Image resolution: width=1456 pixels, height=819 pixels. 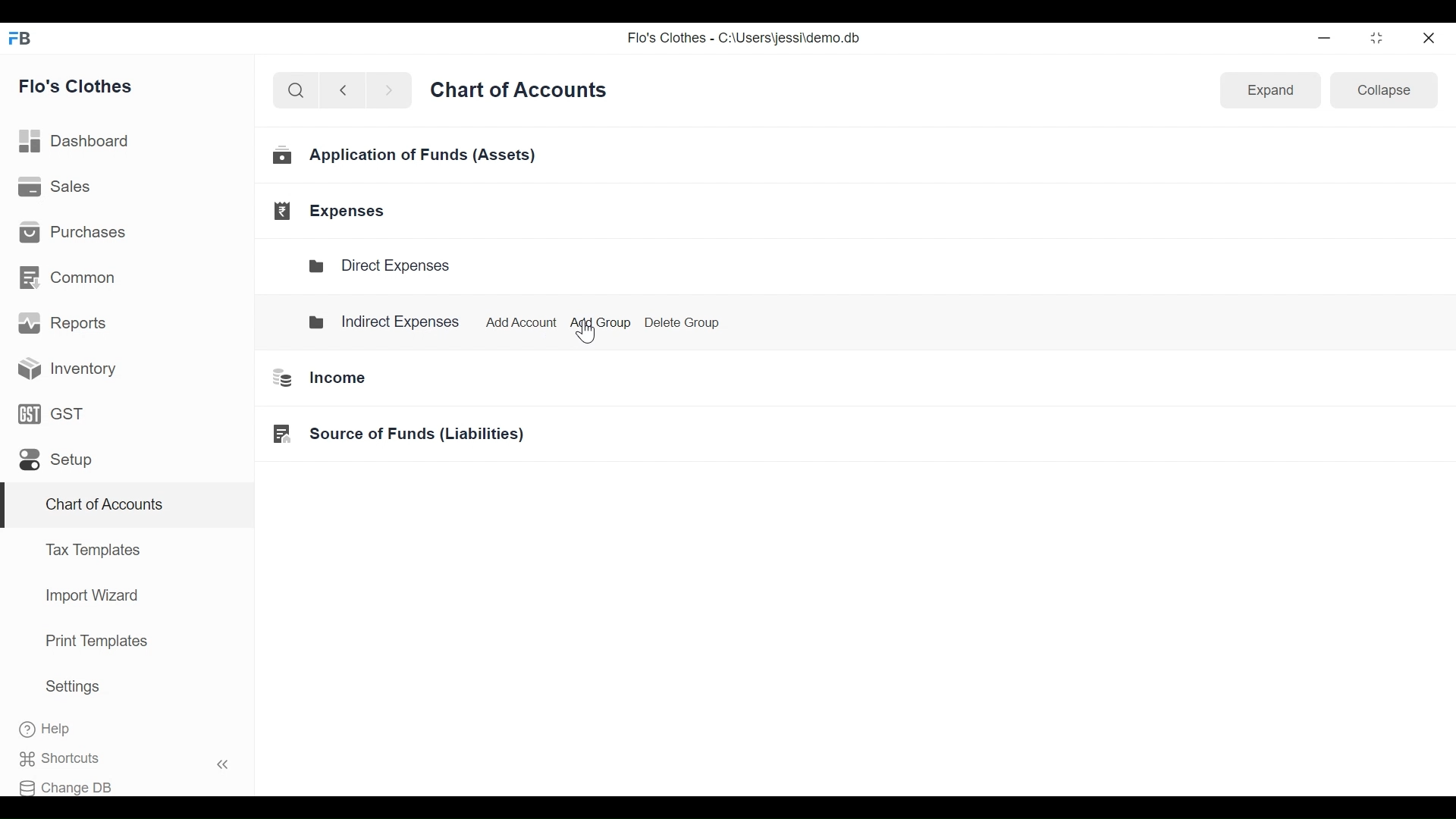 What do you see at coordinates (95, 641) in the screenshot?
I see `Print Templates` at bounding box center [95, 641].